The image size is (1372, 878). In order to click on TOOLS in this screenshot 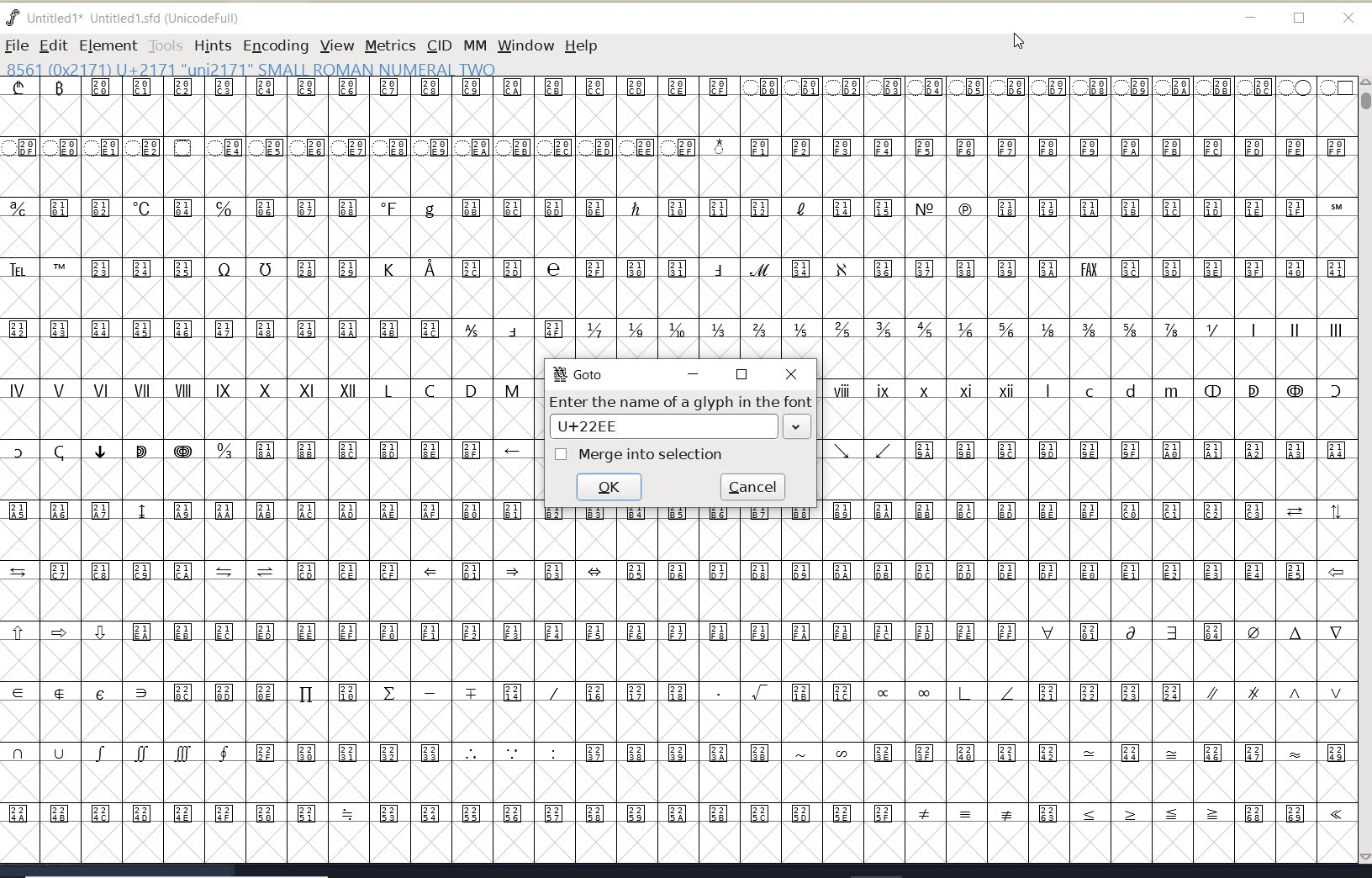, I will do `click(165, 45)`.